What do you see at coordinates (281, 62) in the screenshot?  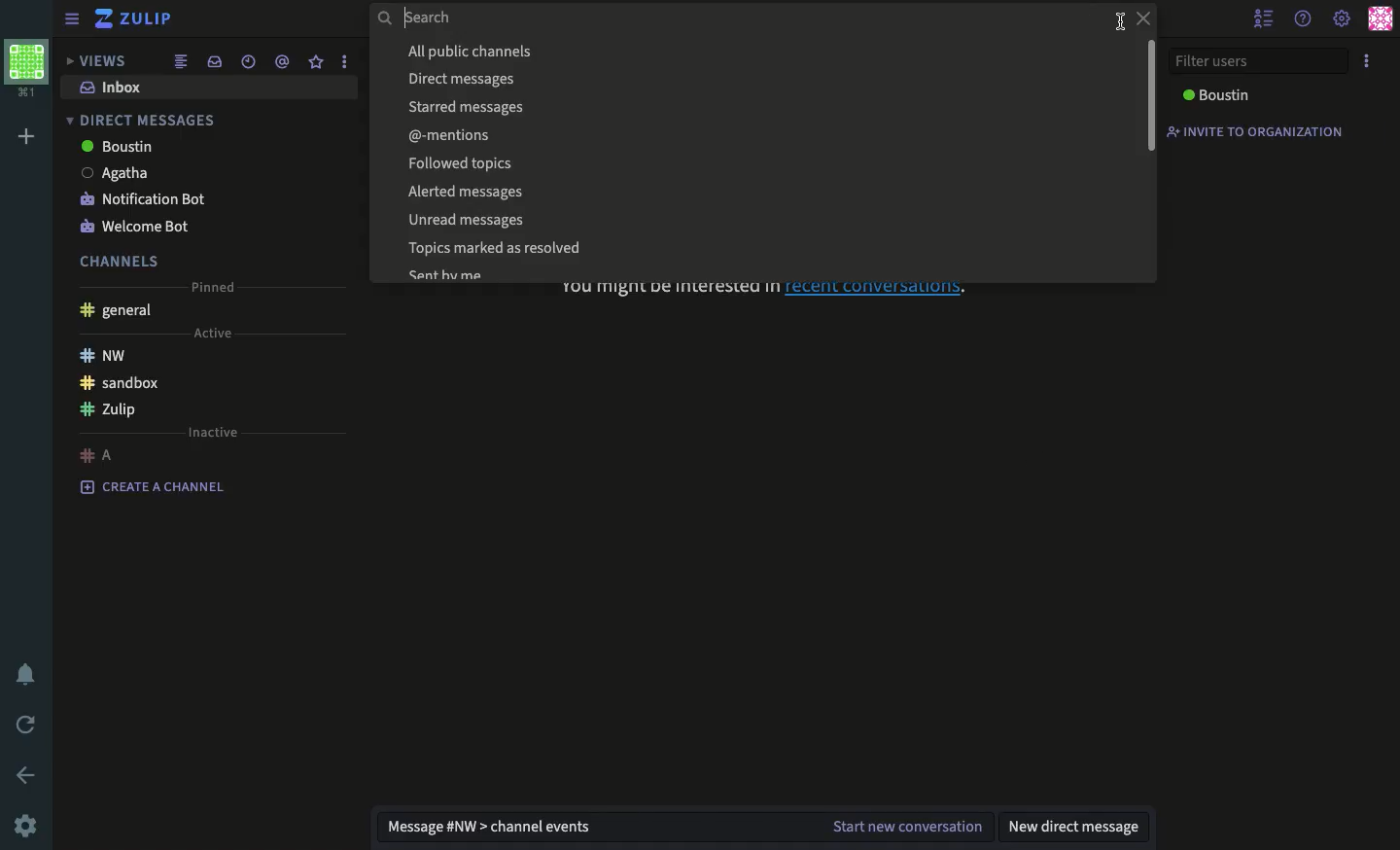 I see `mention` at bounding box center [281, 62].